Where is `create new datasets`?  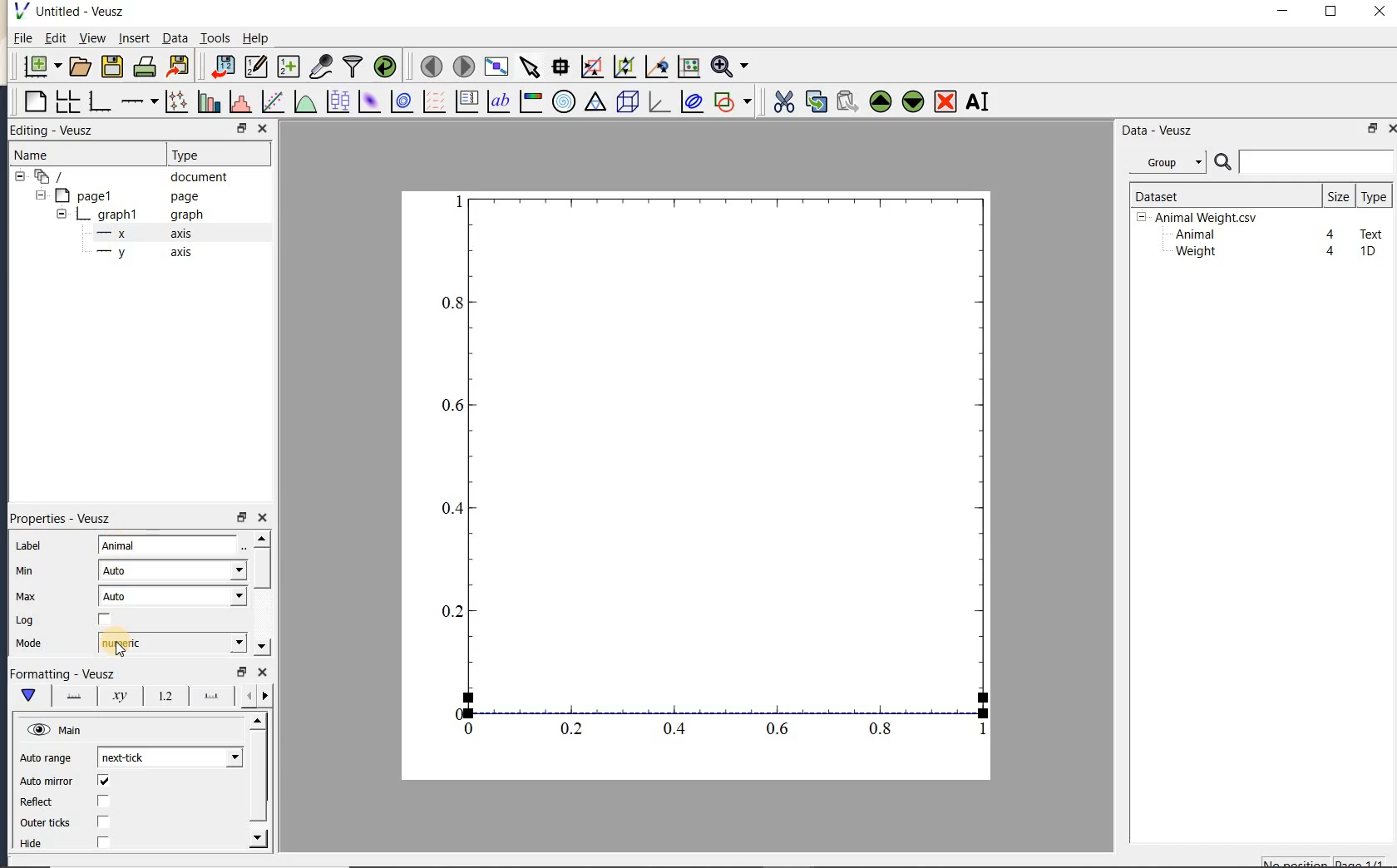 create new datasets is located at coordinates (289, 65).